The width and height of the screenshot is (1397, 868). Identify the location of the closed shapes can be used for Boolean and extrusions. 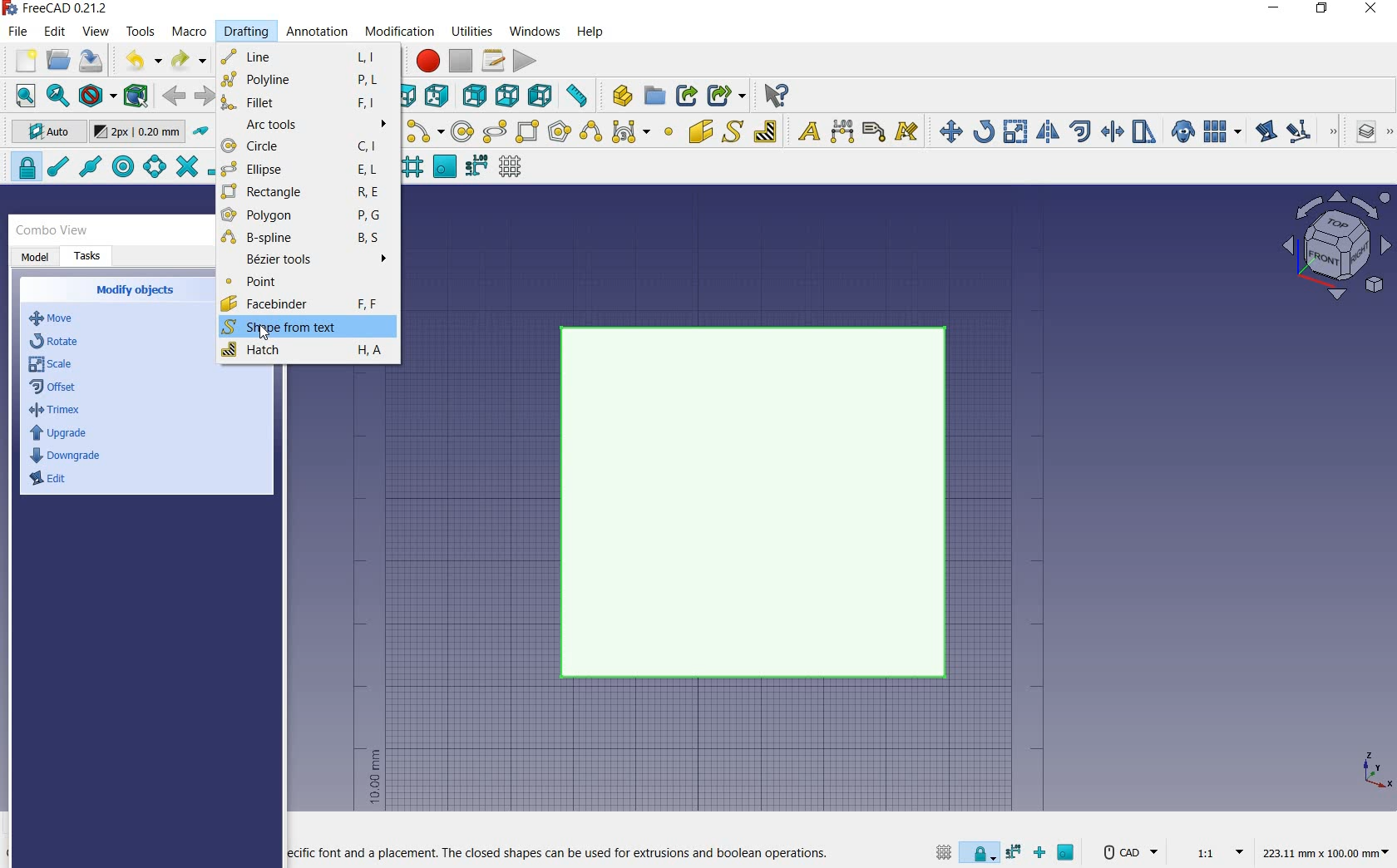
(560, 854).